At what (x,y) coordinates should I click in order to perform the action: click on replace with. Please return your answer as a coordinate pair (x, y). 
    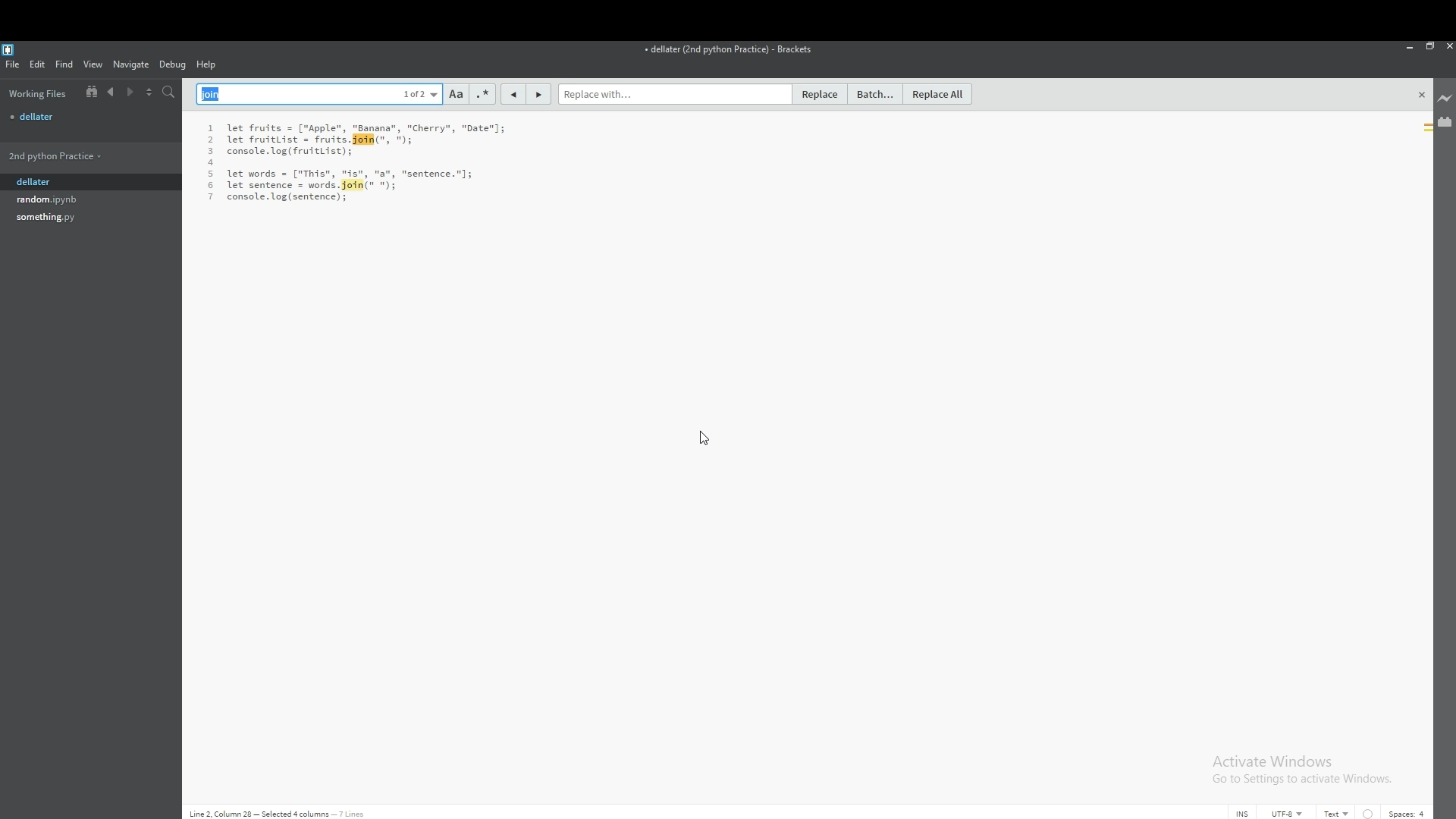
    Looking at the image, I should click on (675, 94).